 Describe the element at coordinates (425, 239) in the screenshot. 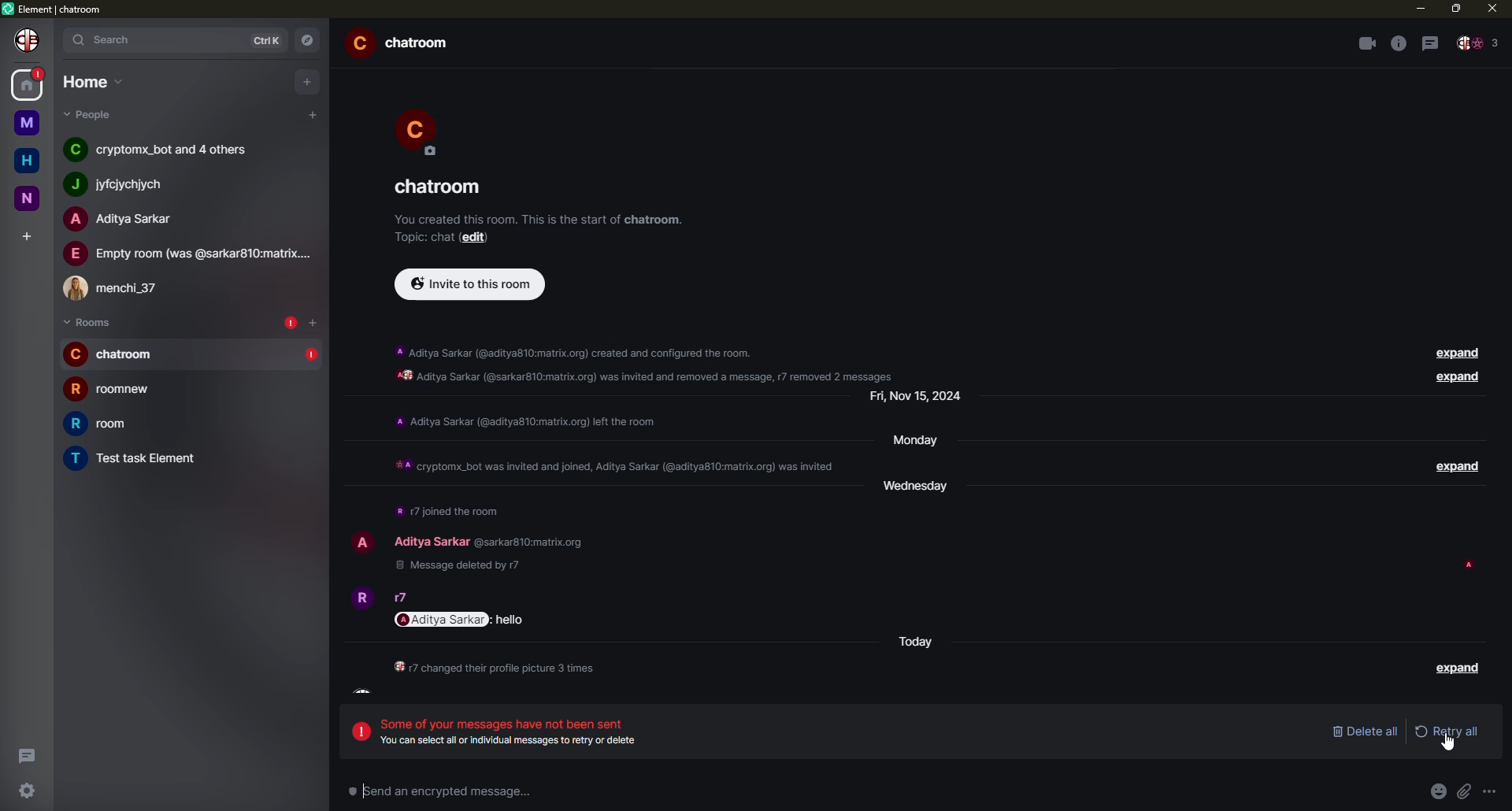

I see `topic` at that location.